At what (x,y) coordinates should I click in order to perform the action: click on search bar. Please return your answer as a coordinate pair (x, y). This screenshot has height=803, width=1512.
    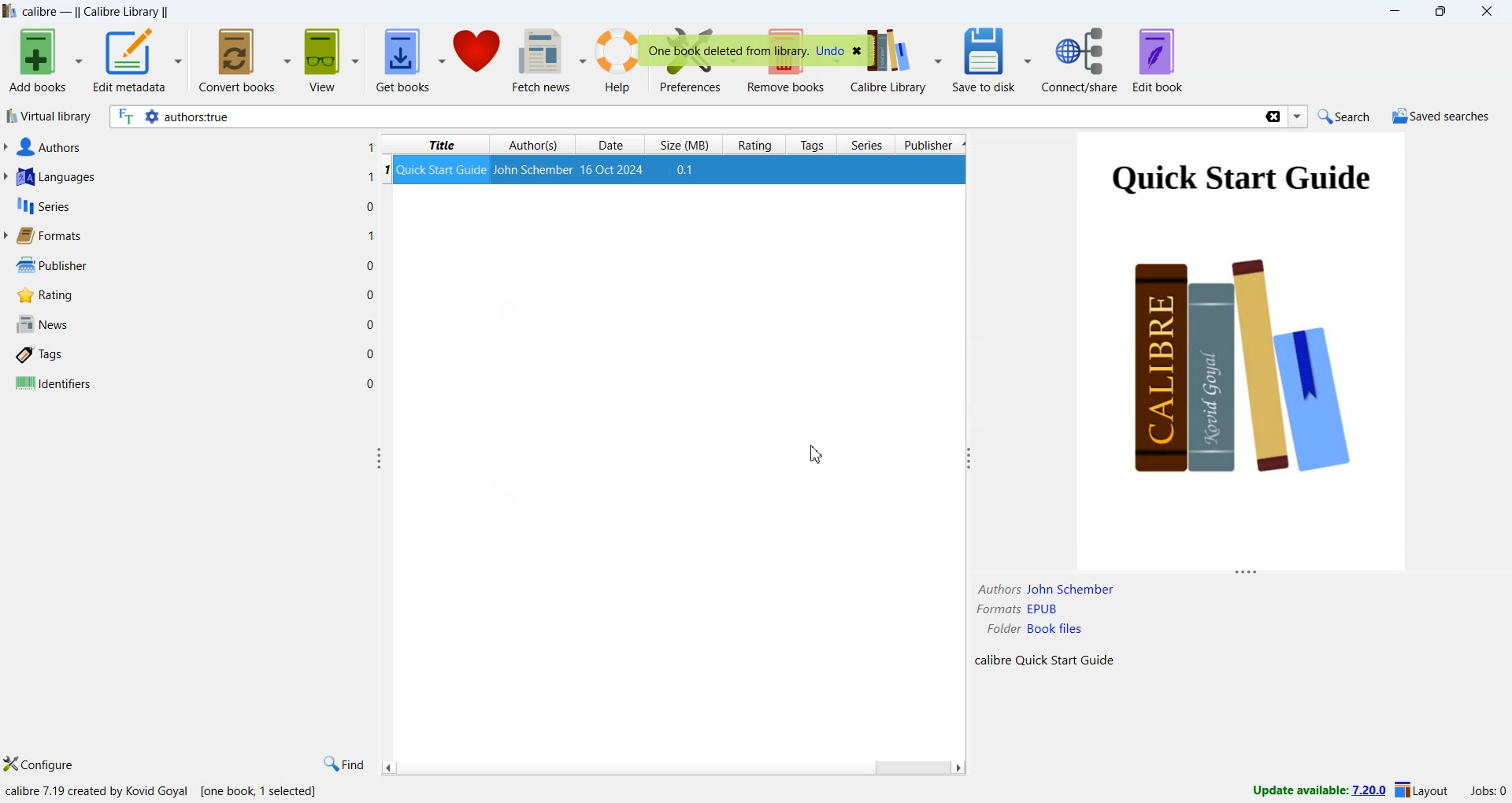
    Looking at the image, I should click on (684, 117).